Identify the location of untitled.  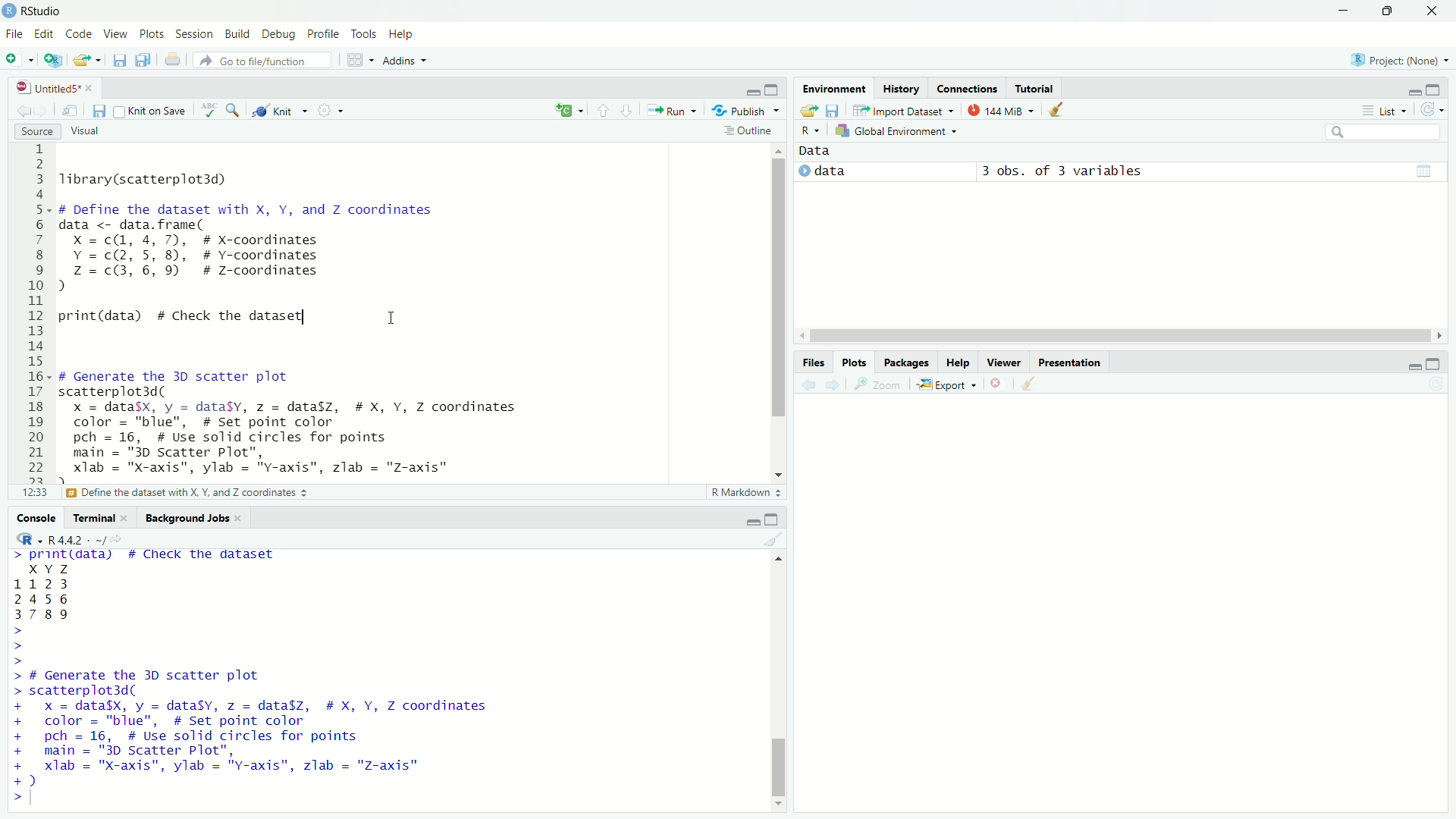
(40, 87).